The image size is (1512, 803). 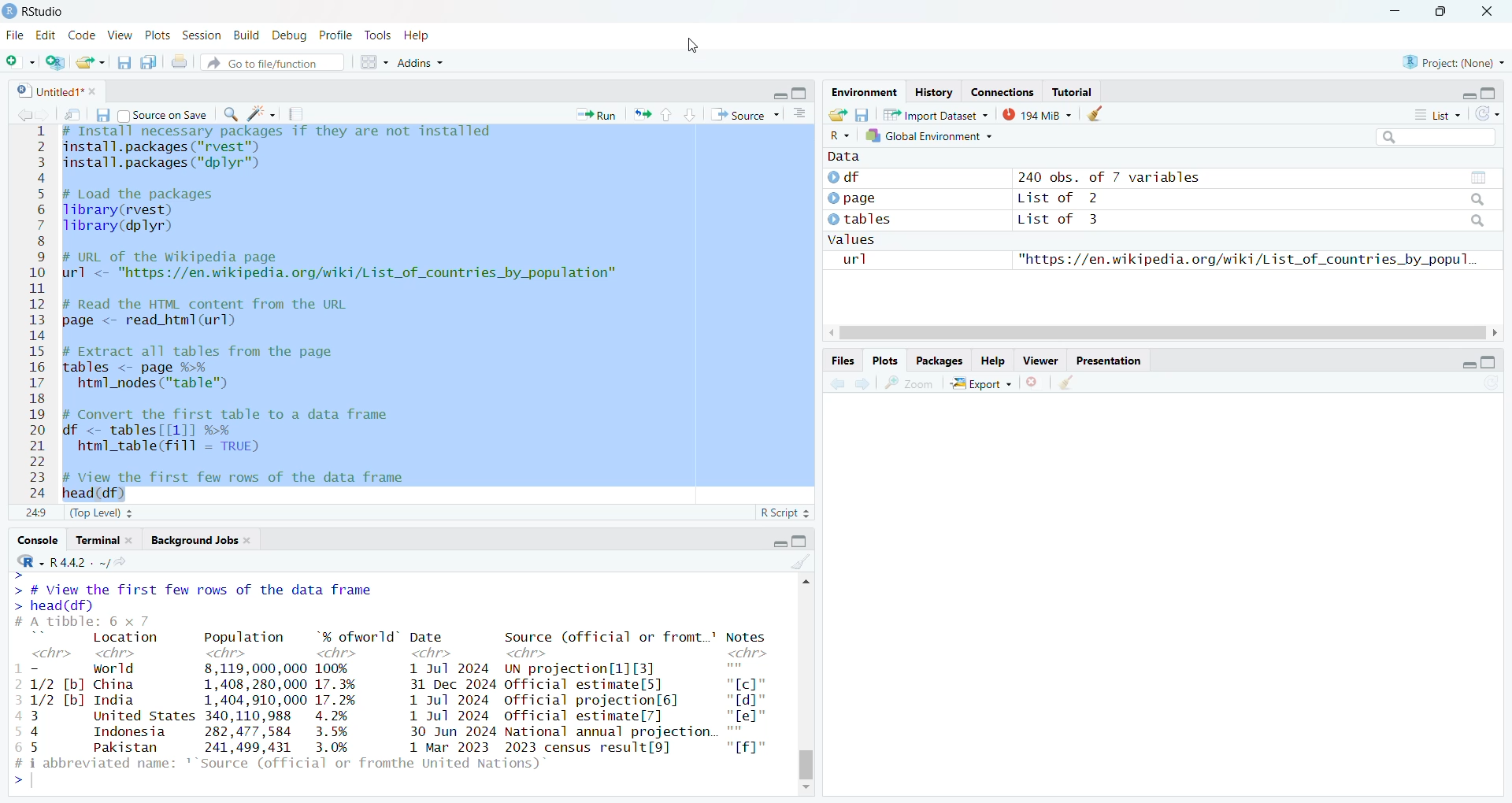 What do you see at coordinates (1477, 199) in the screenshot?
I see `search icon` at bounding box center [1477, 199].